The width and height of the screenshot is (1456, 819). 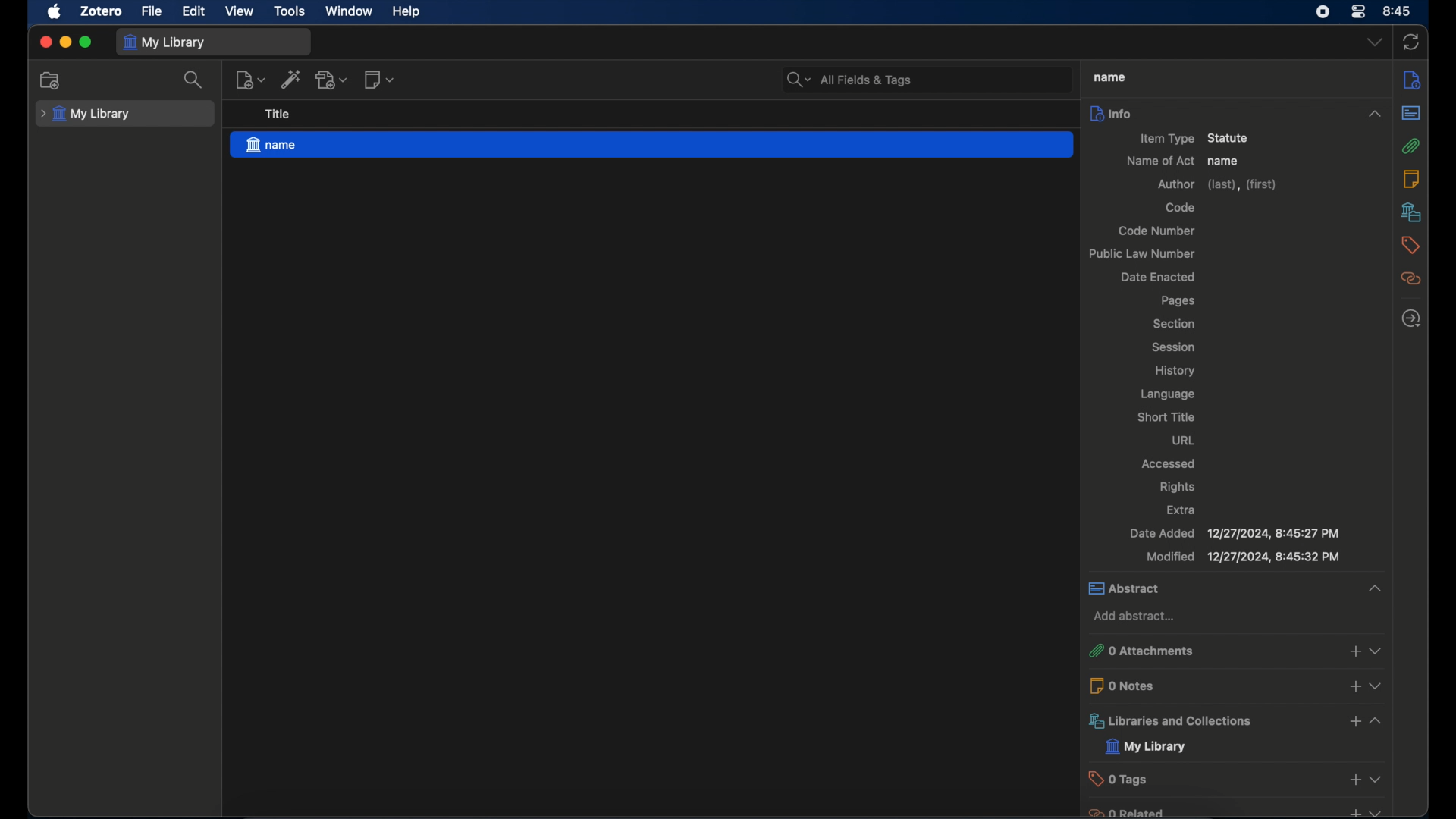 I want to click on pages, so click(x=1178, y=301).